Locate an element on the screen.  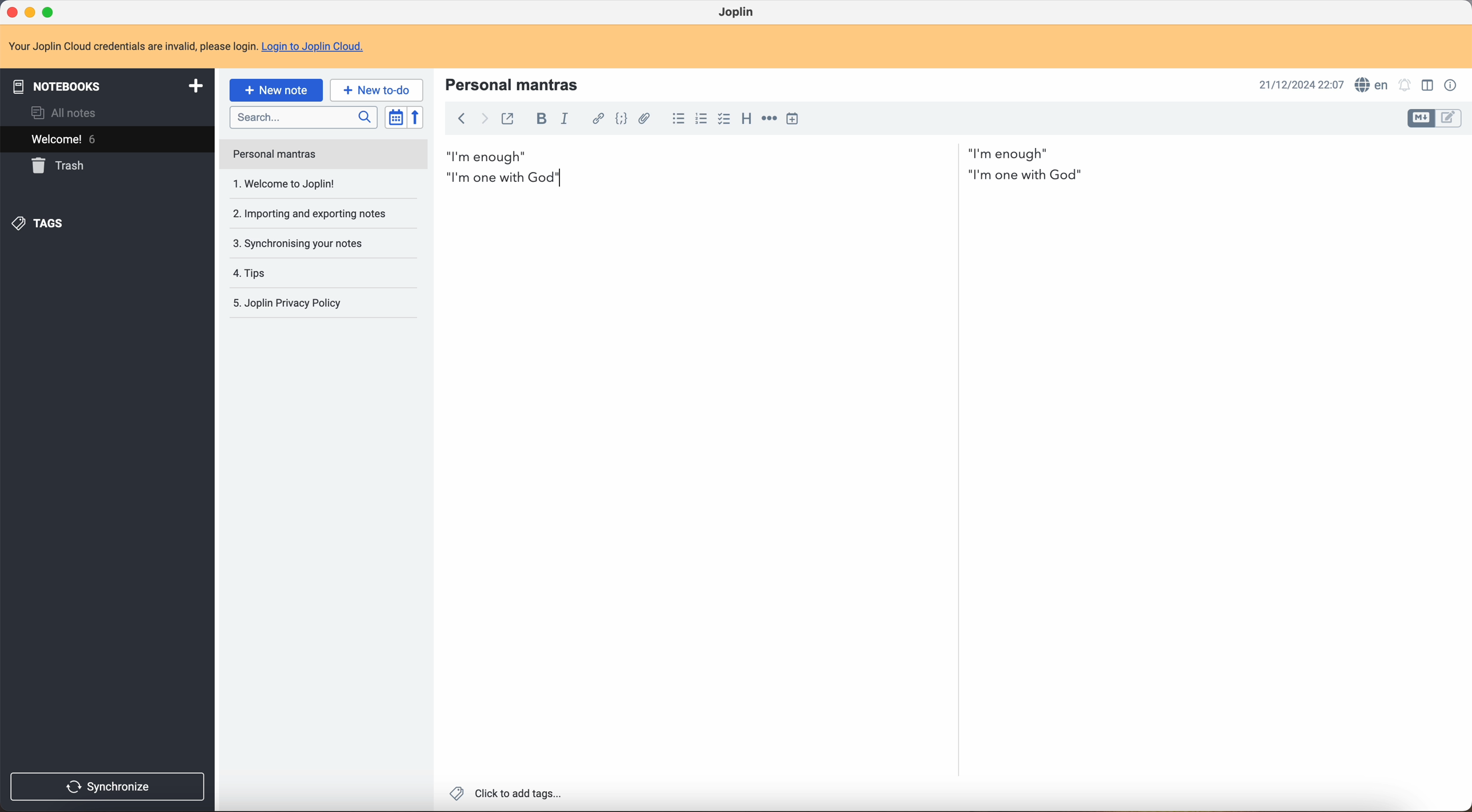
minimize program is located at coordinates (30, 11).